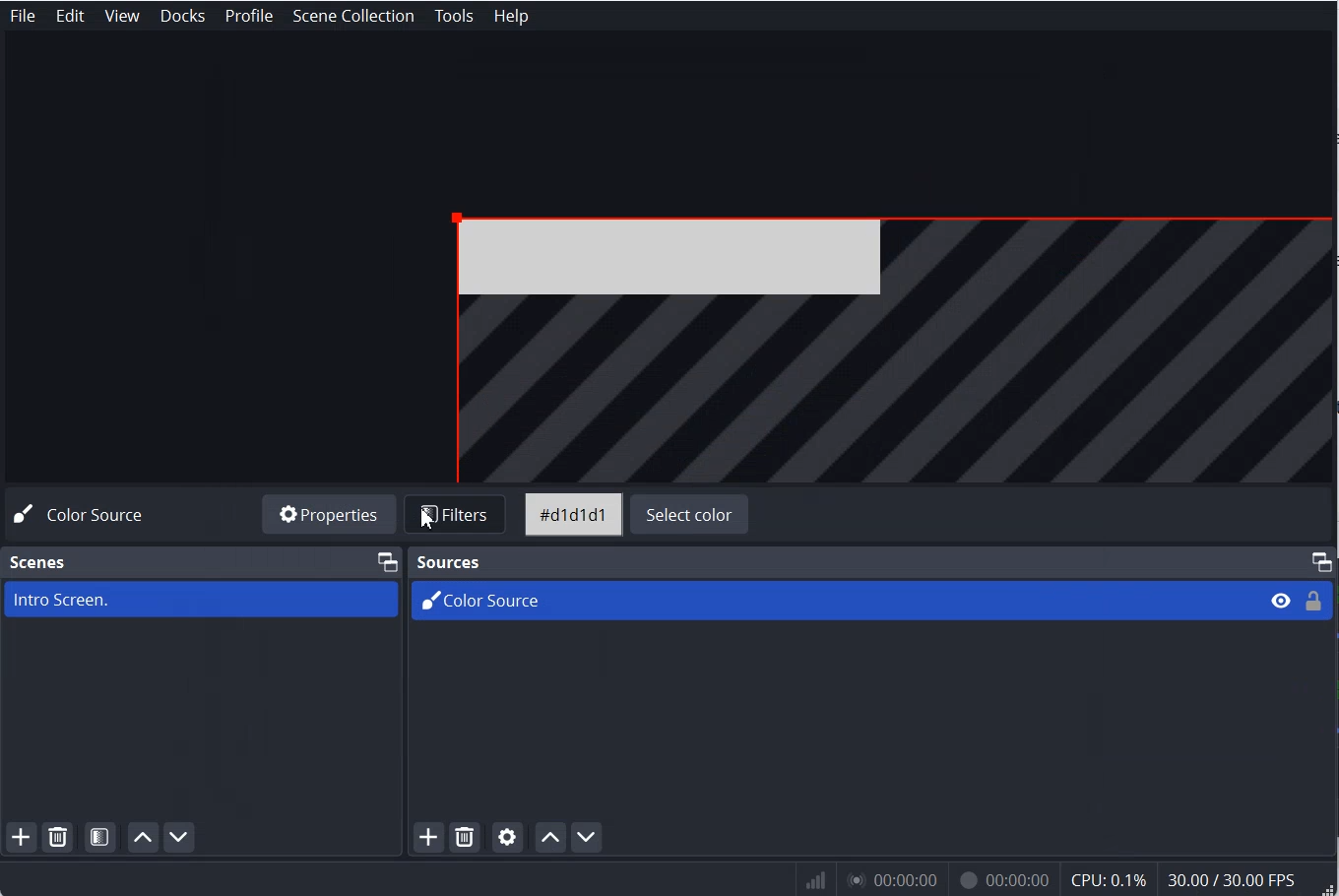 This screenshot has width=1339, height=896. Describe the element at coordinates (248, 16) in the screenshot. I see `Profile` at that location.